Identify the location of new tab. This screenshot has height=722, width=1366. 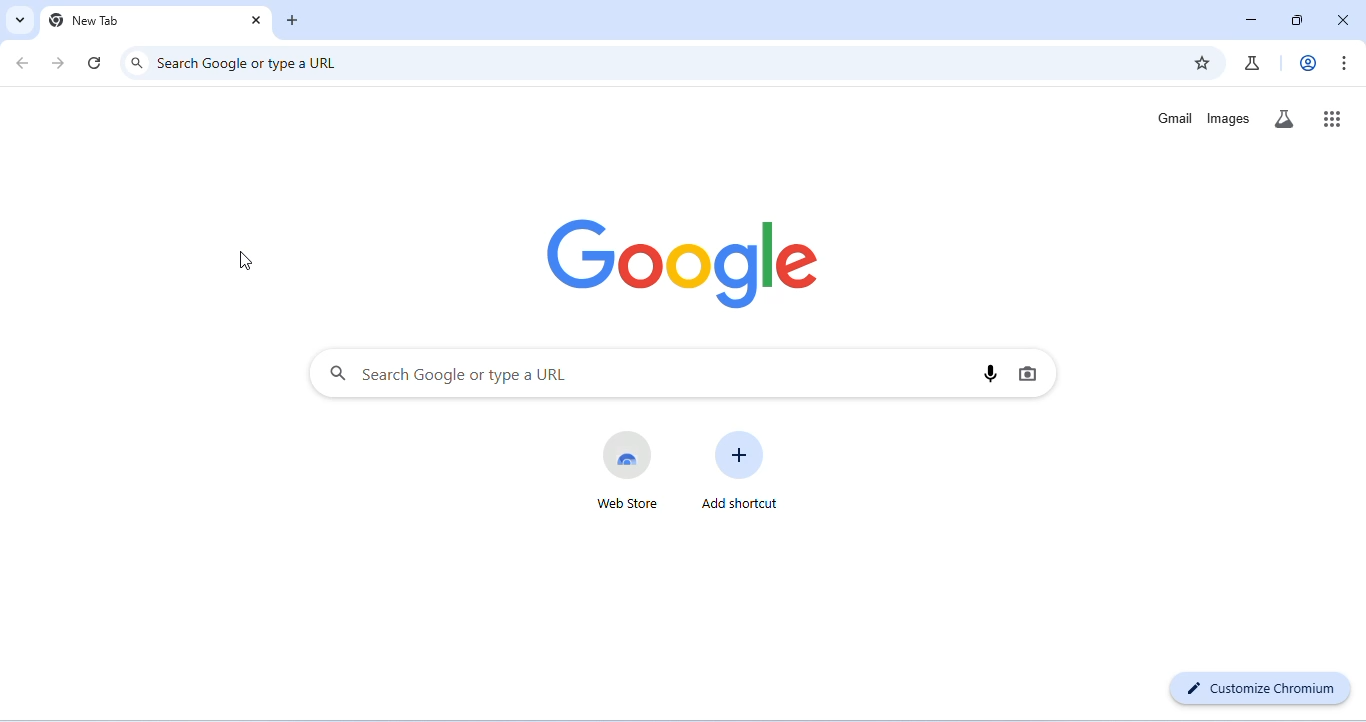
(85, 20).